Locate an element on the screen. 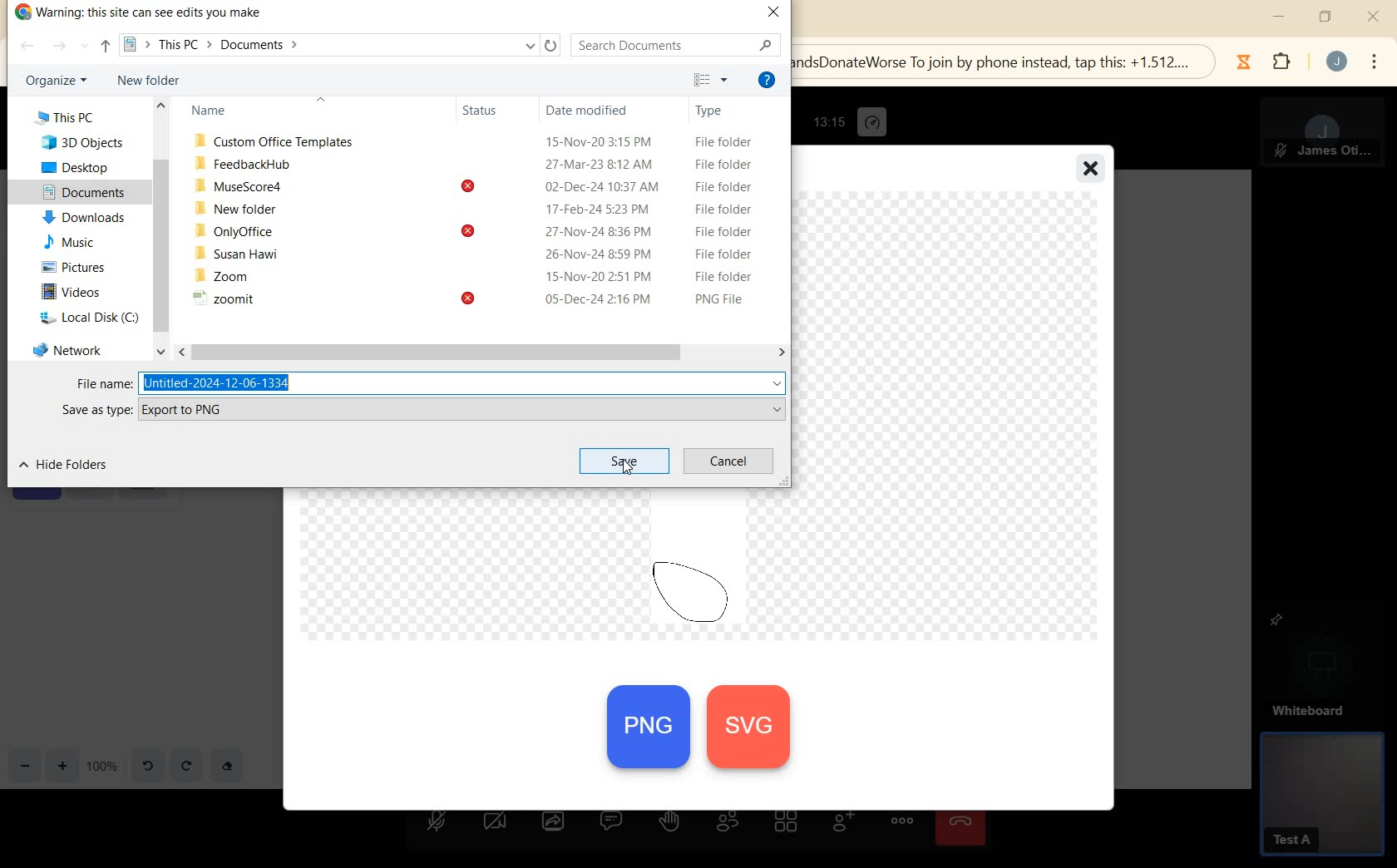 Image resolution: width=1397 pixels, height=868 pixels. Susan Hawi 26-Nov-24 8:59 PM File folder is located at coordinates (256, 253).